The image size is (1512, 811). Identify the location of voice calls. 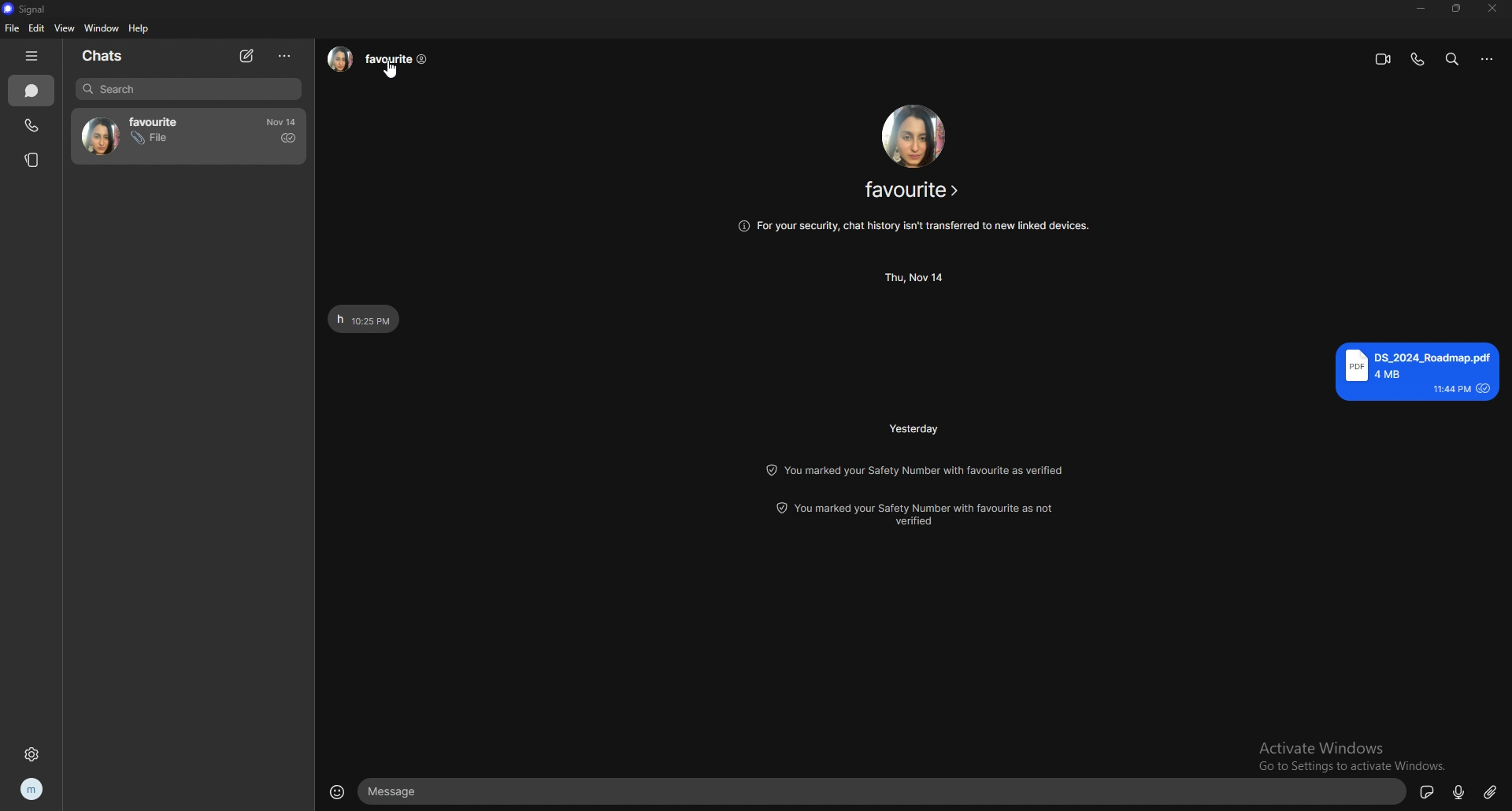
(1418, 60).